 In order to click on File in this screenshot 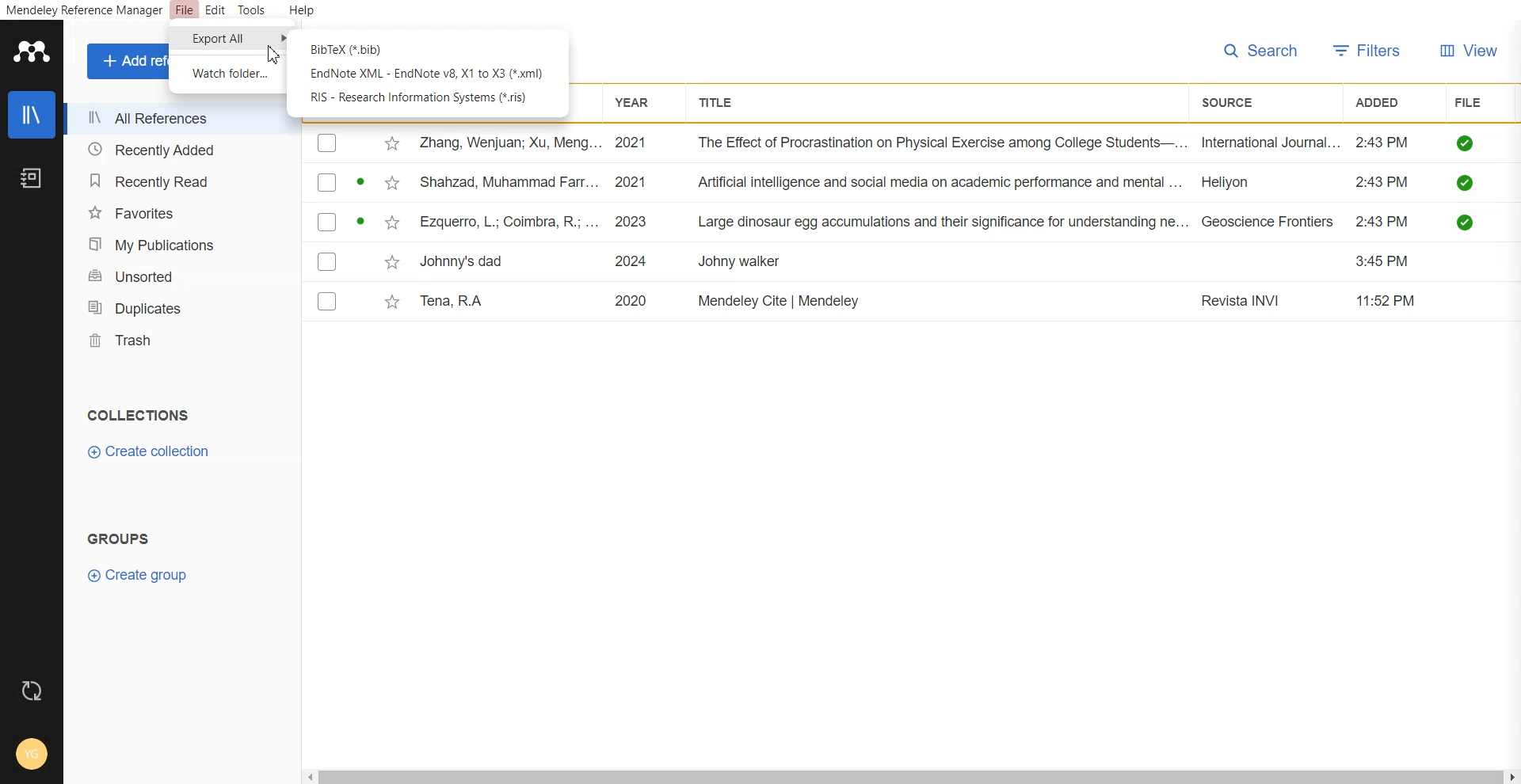, I will do `click(1472, 101)`.